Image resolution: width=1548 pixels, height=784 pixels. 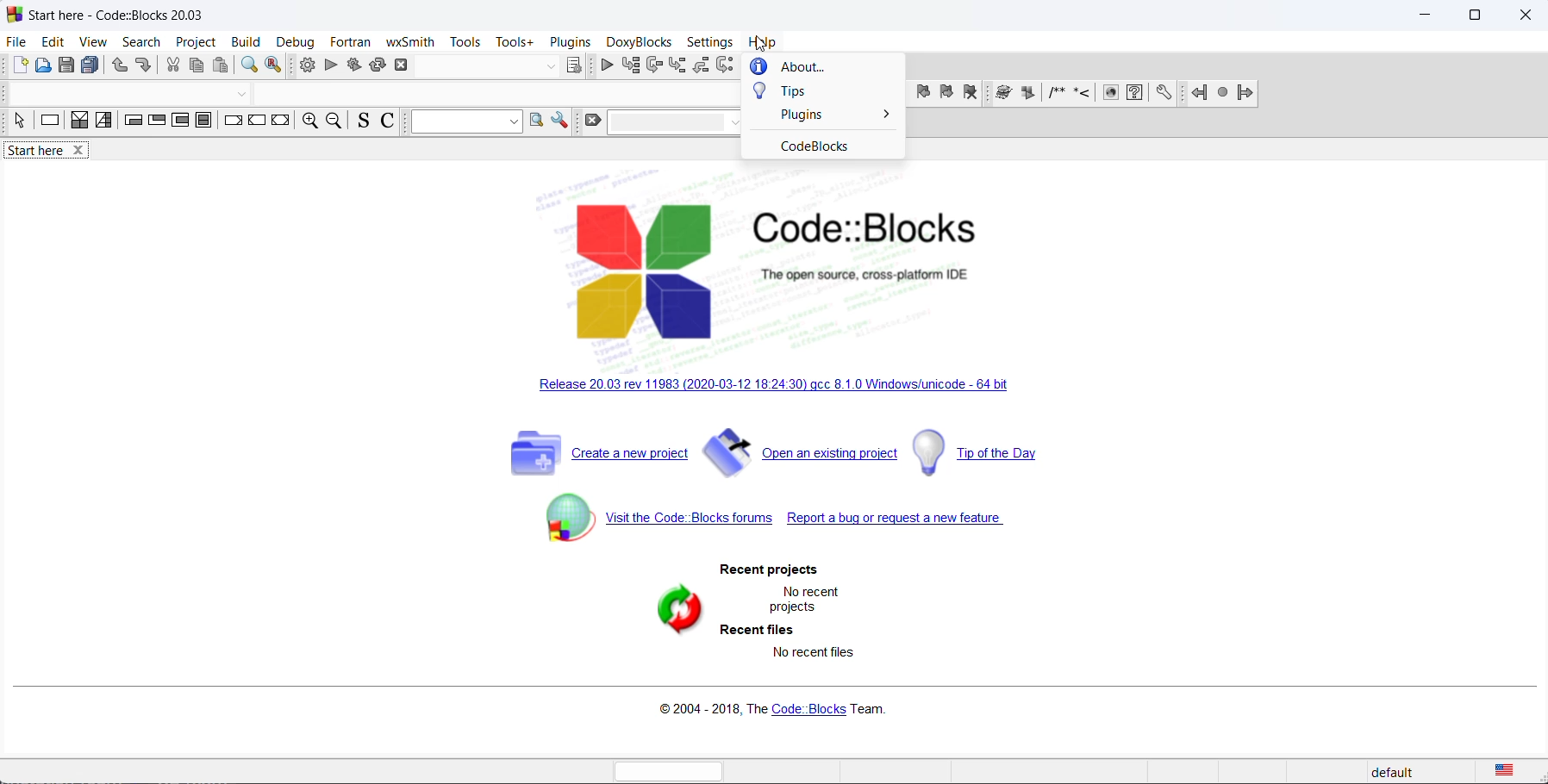 I want to click on decision, so click(x=79, y=121).